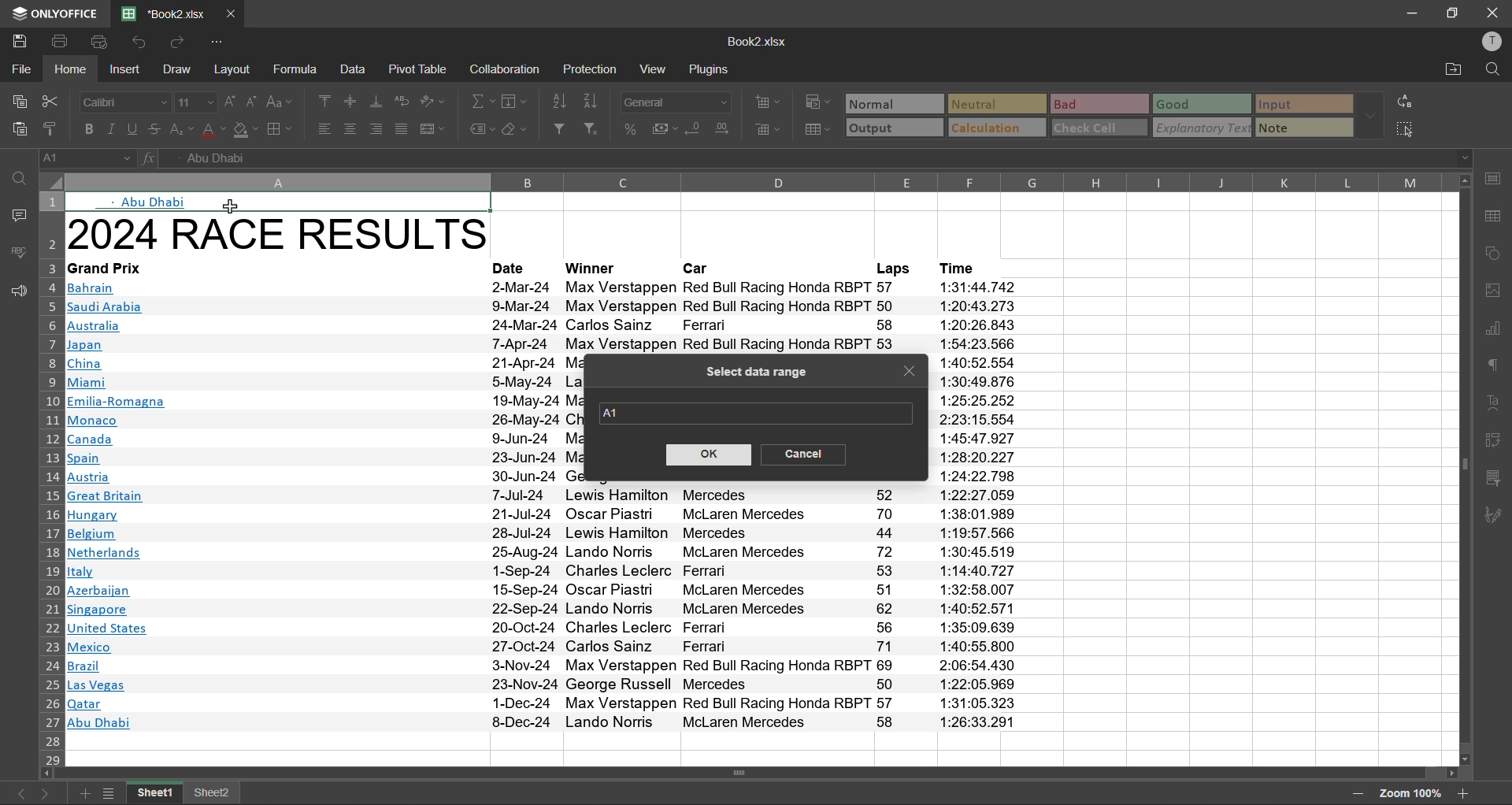  What do you see at coordinates (228, 794) in the screenshot?
I see `sheet 2` at bounding box center [228, 794].